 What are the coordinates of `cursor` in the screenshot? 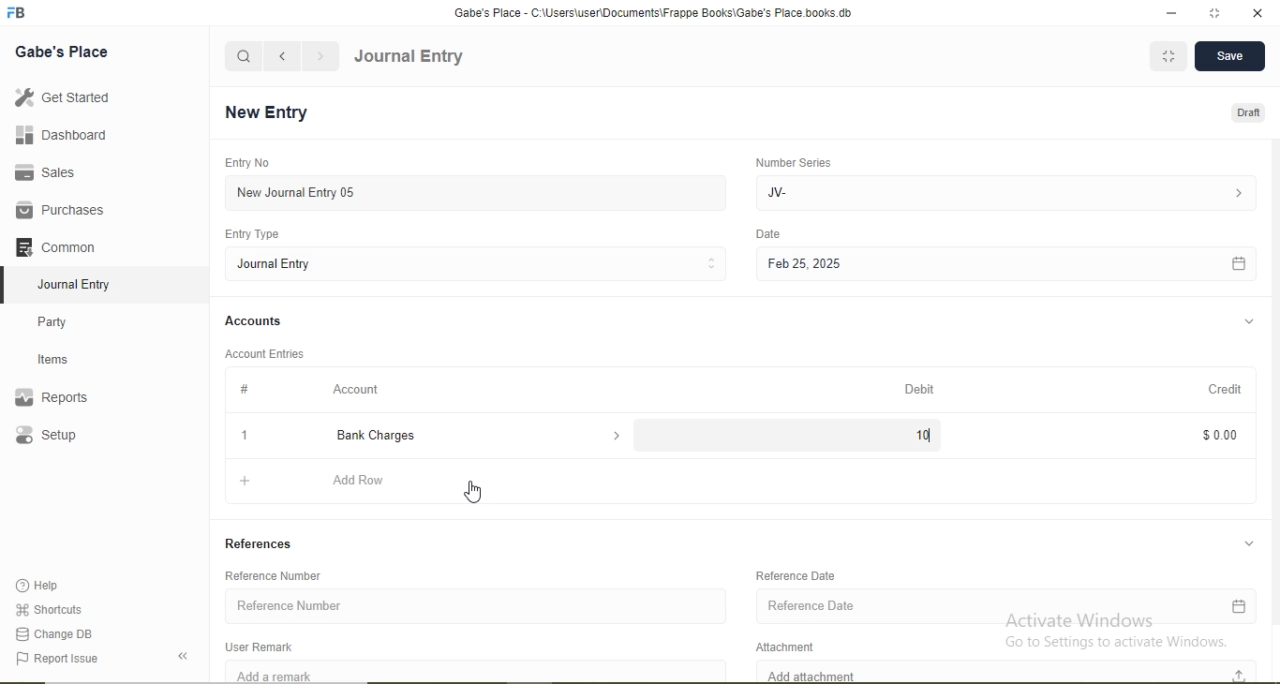 It's located at (469, 492).